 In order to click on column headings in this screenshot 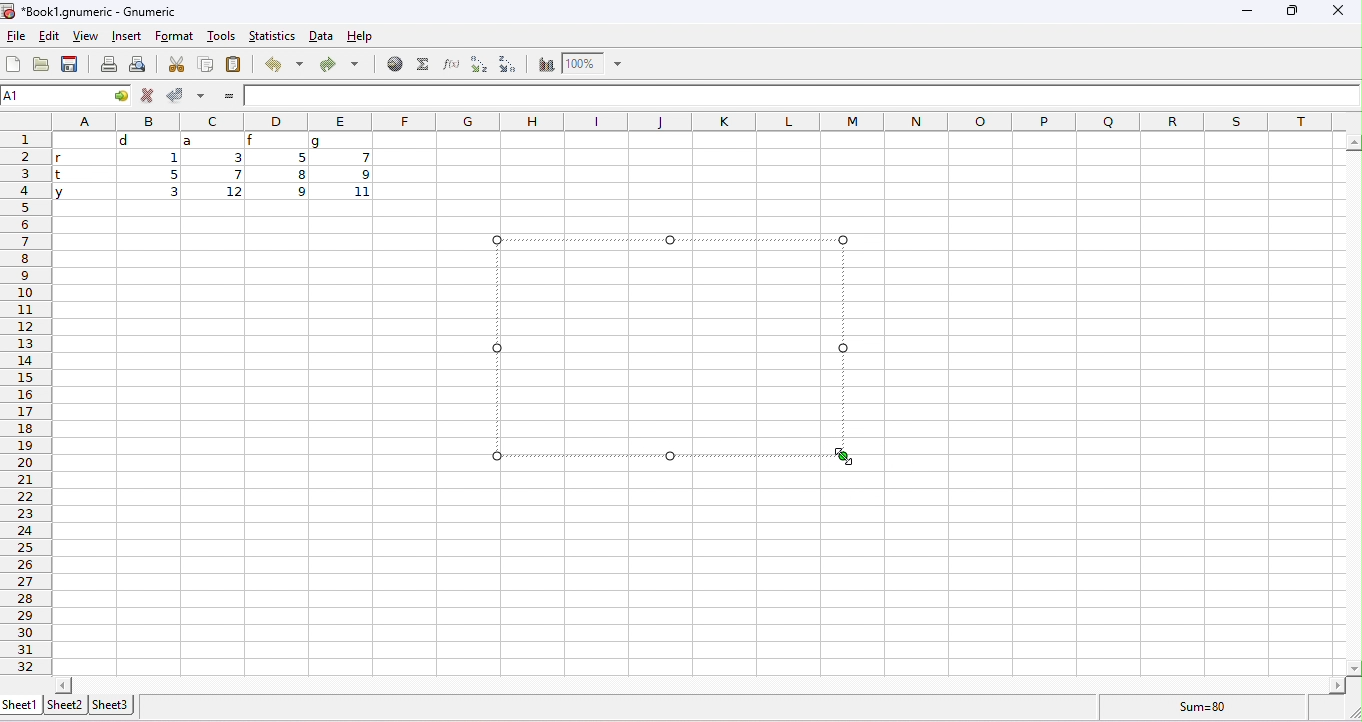, I will do `click(693, 121)`.